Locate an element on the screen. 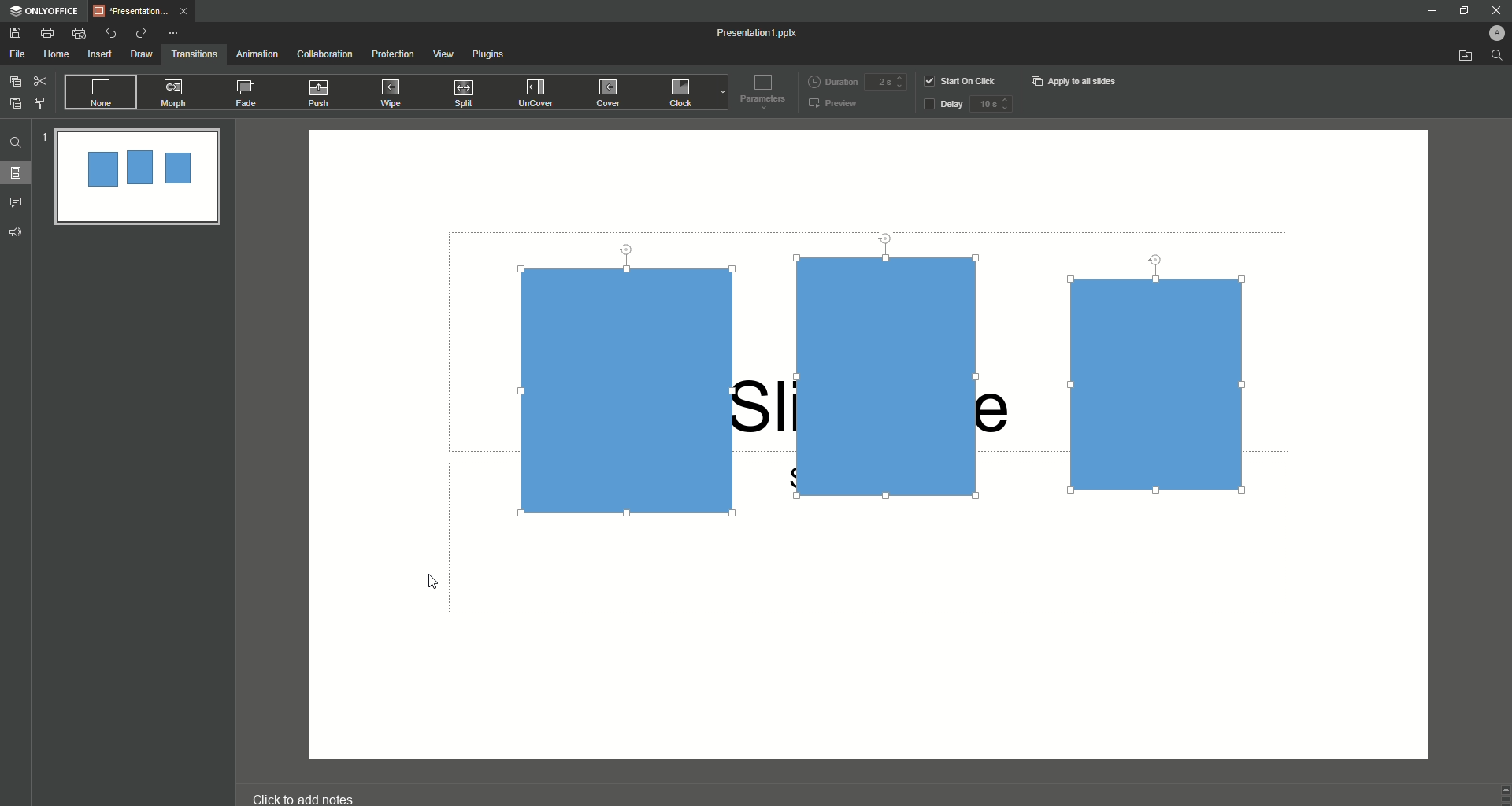 This screenshot has width=1512, height=806. Push is located at coordinates (321, 94).